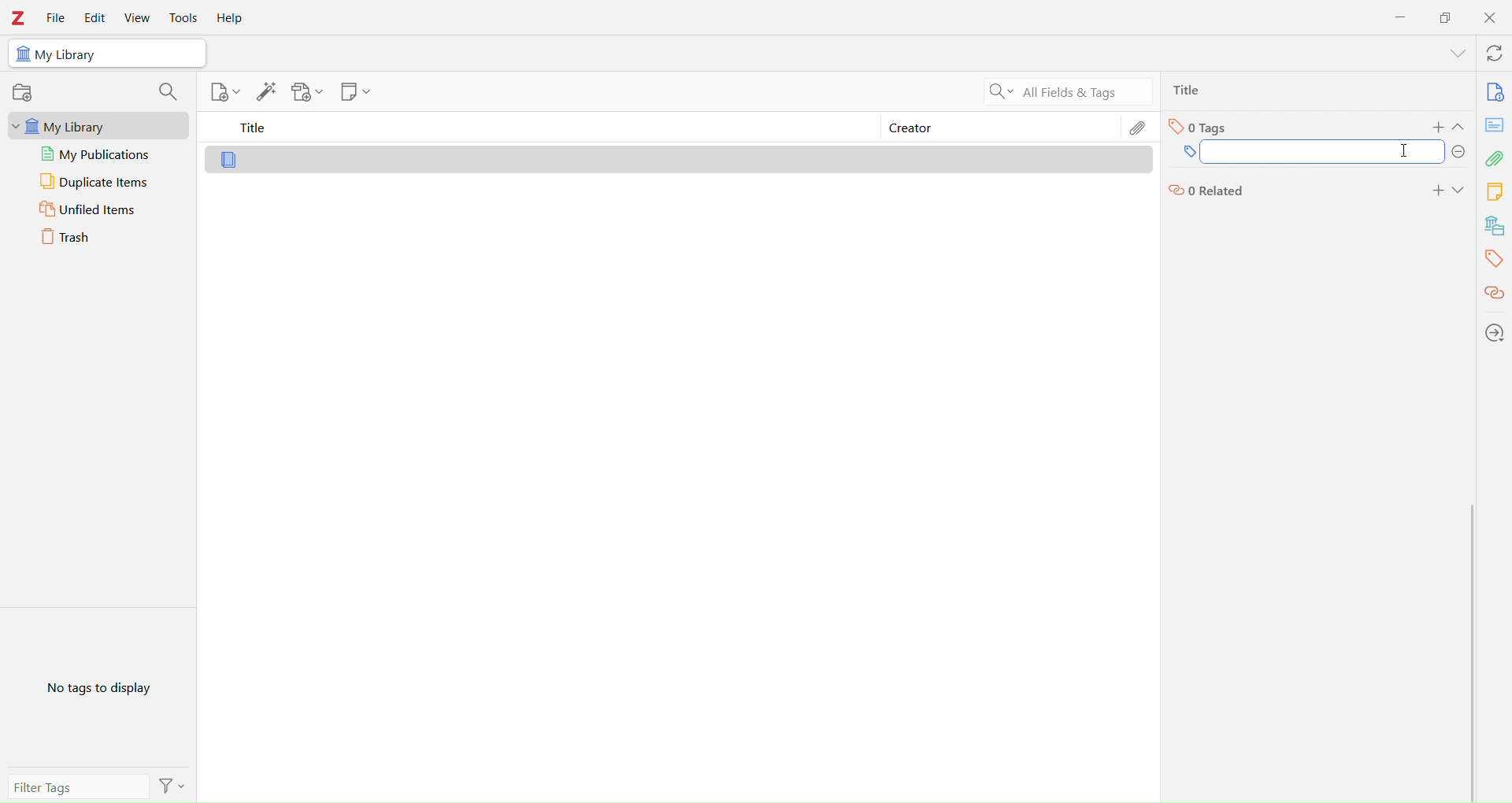 This screenshot has width=1512, height=803. What do you see at coordinates (1206, 191) in the screenshot?
I see `Related` at bounding box center [1206, 191].